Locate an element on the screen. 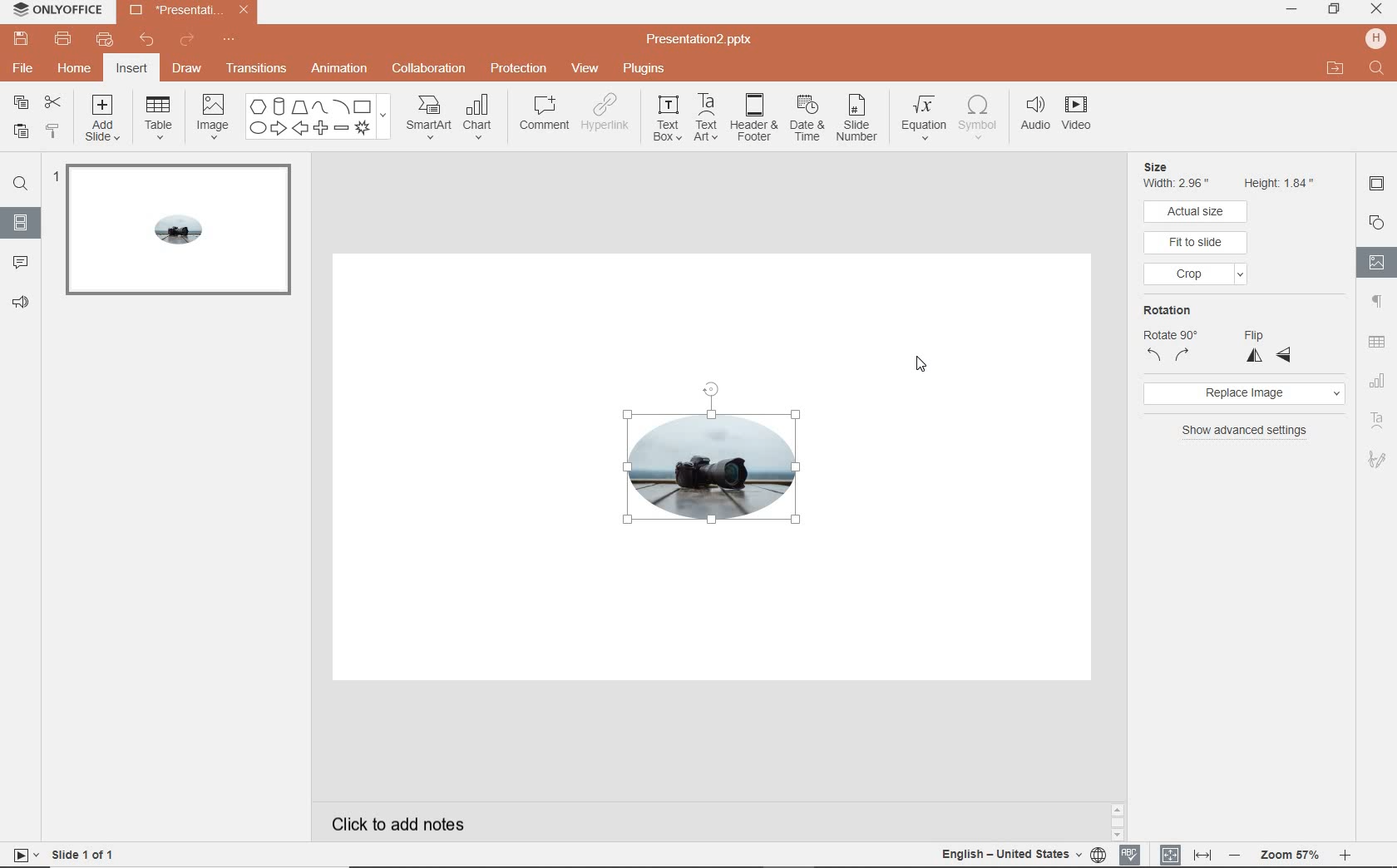 The height and width of the screenshot is (868, 1397). draw is located at coordinates (188, 70).